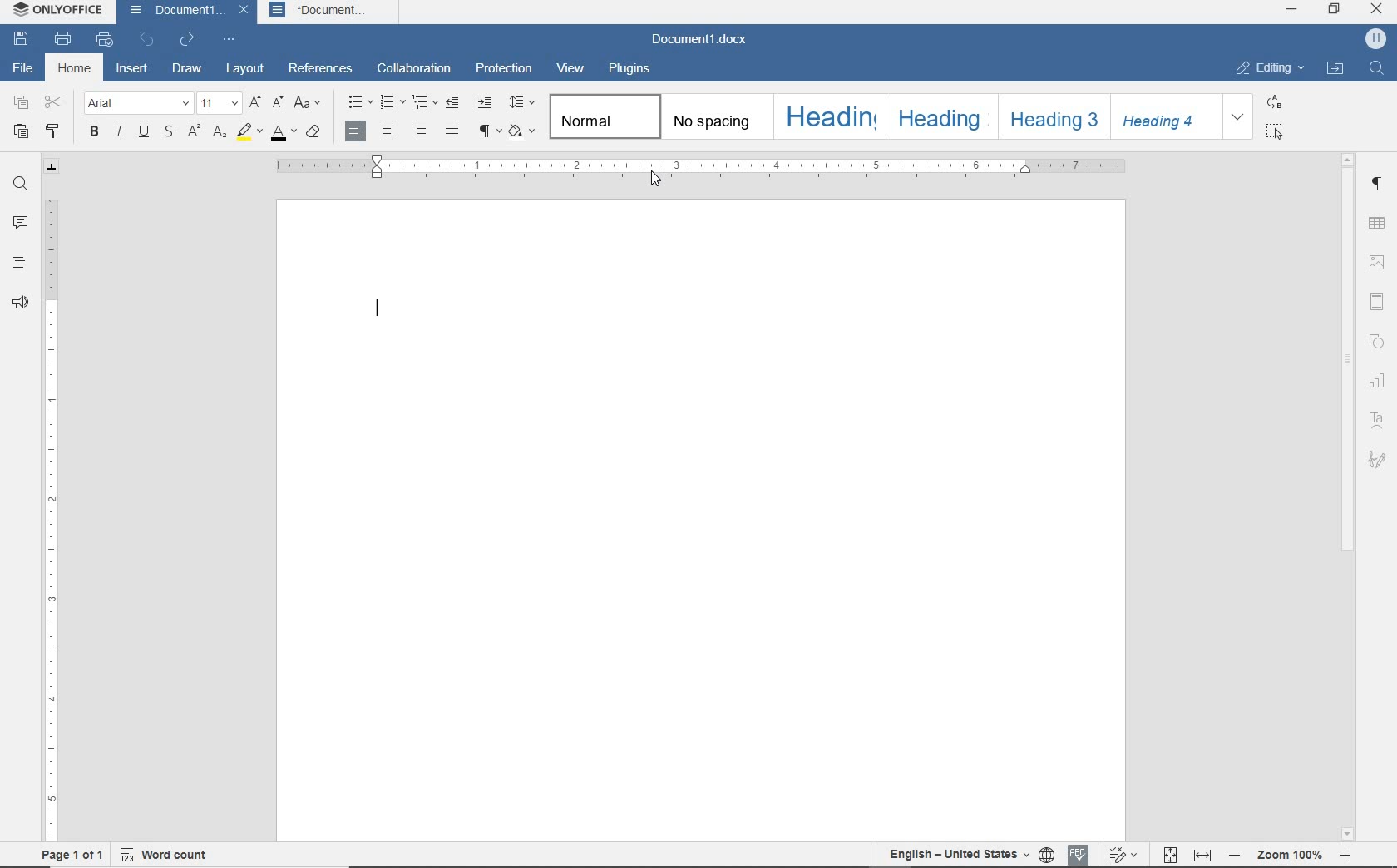 Image resolution: width=1397 pixels, height=868 pixels. What do you see at coordinates (1376, 301) in the screenshot?
I see `HEADER & FOOTER` at bounding box center [1376, 301].